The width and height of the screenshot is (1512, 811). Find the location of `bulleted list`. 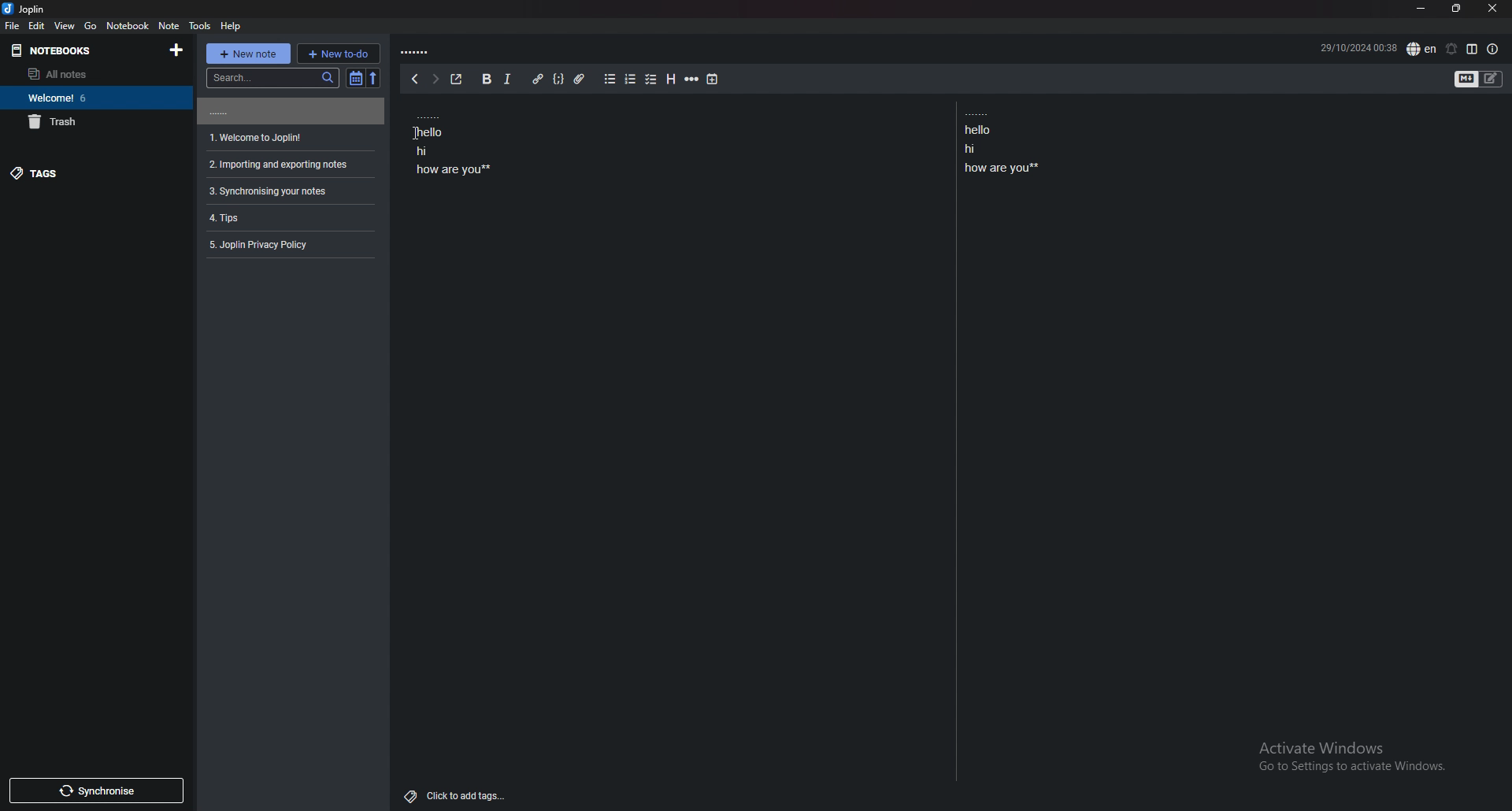

bulleted list is located at coordinates (610, 80).